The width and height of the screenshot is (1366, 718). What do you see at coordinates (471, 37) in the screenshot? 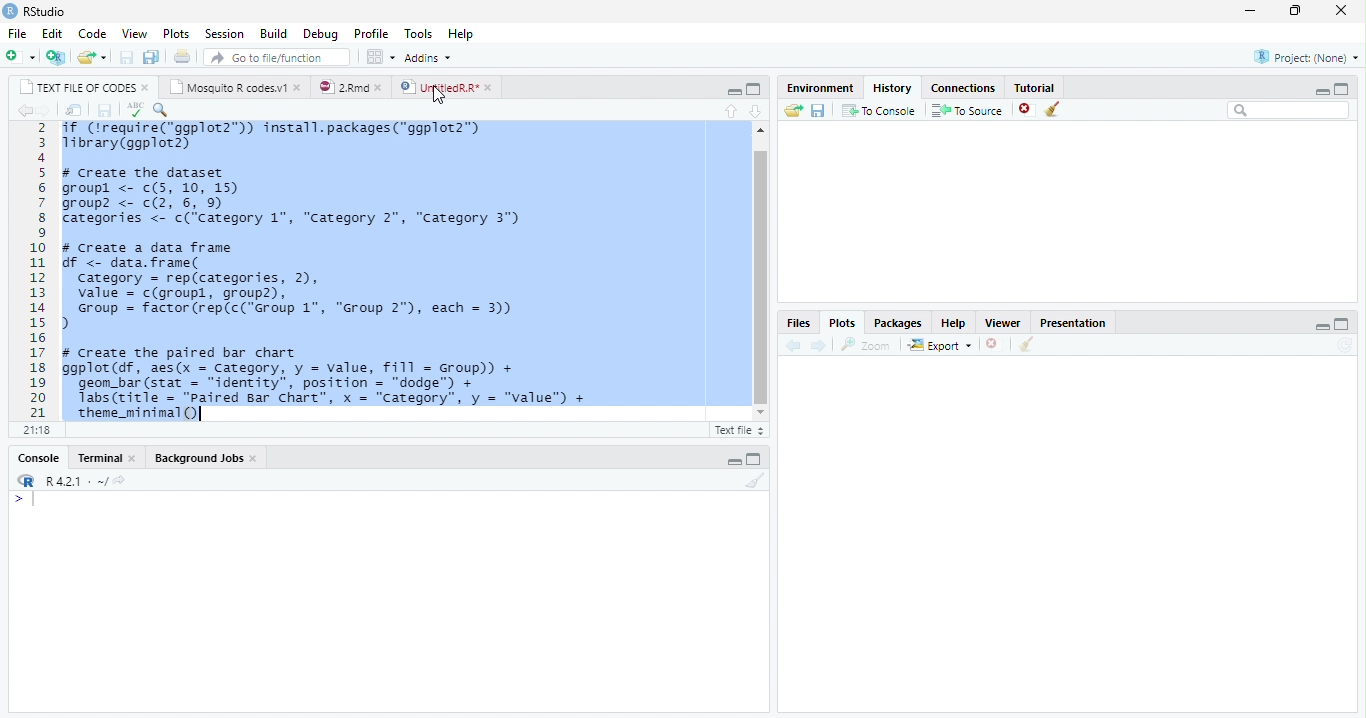
I see `help` at bounding box center [471, 37].